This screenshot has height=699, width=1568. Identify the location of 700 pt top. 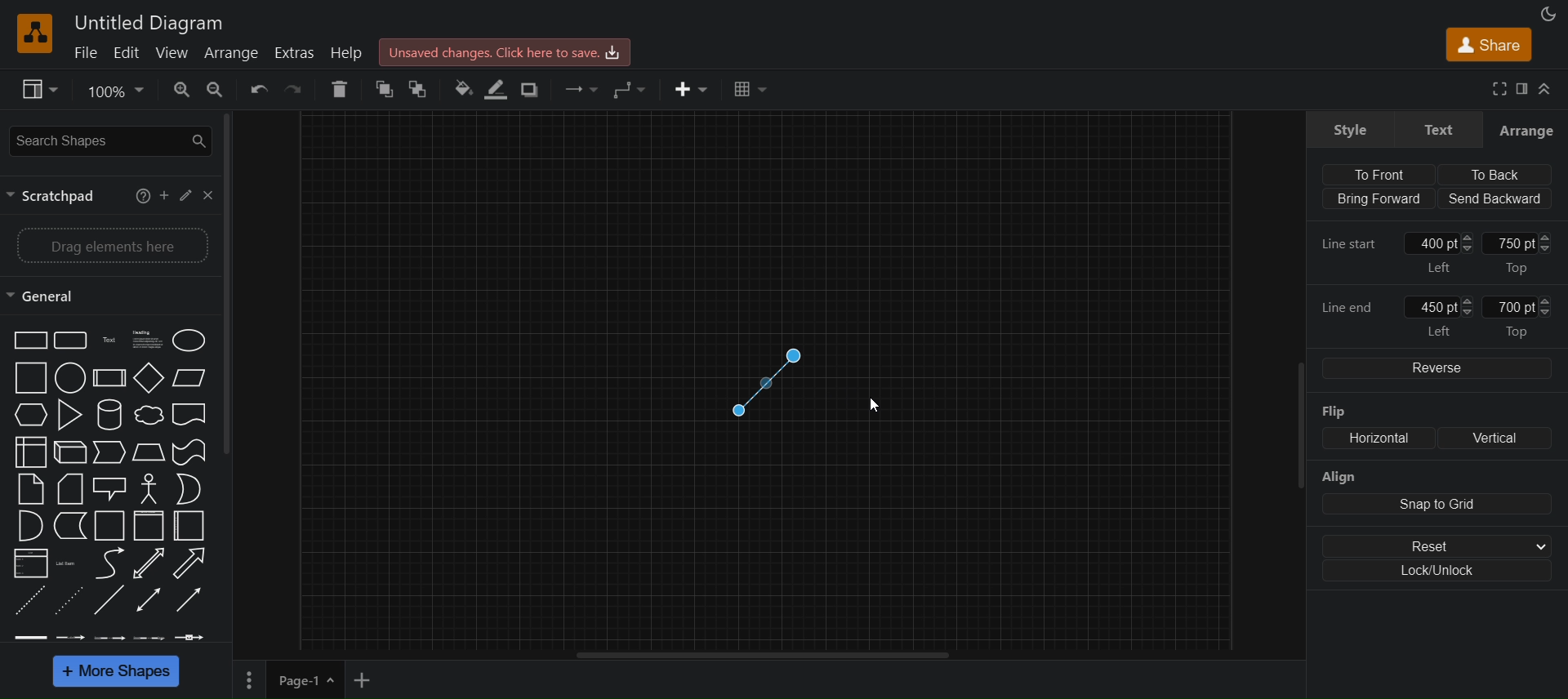
(1529, 316).